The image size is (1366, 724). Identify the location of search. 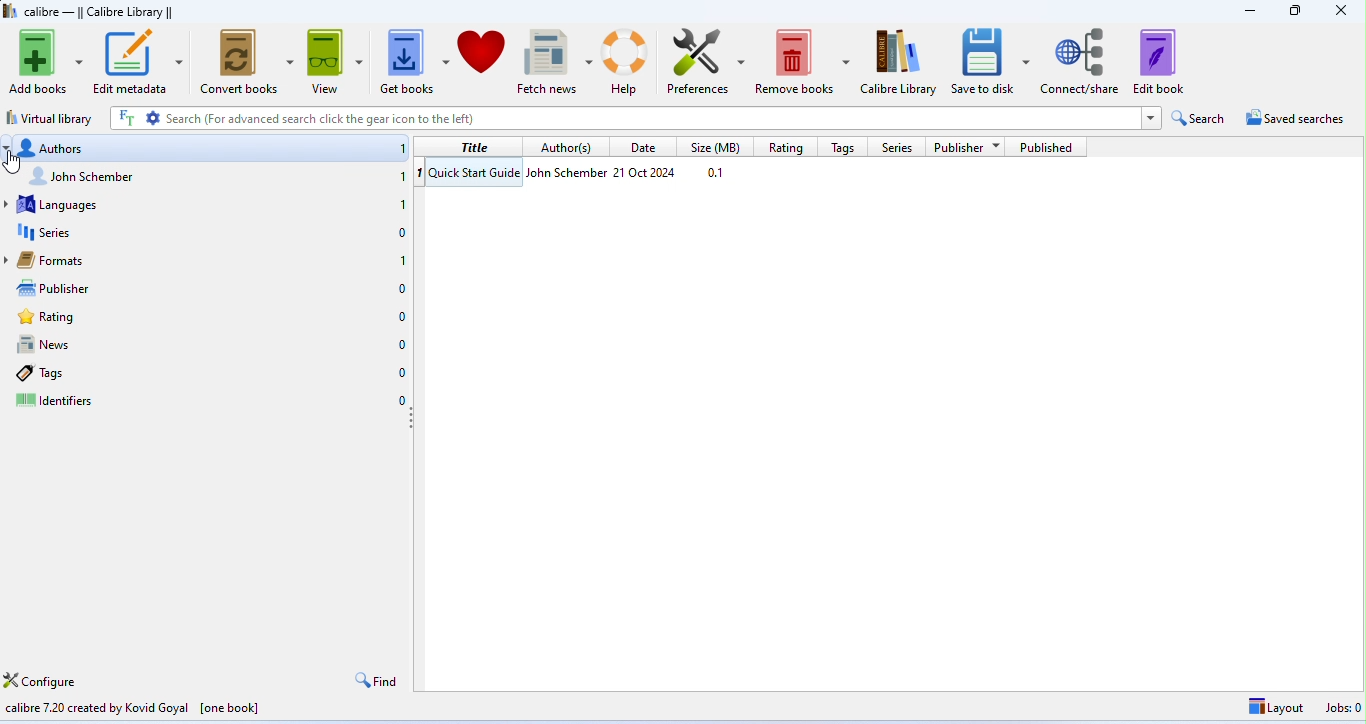
(1199, 118).